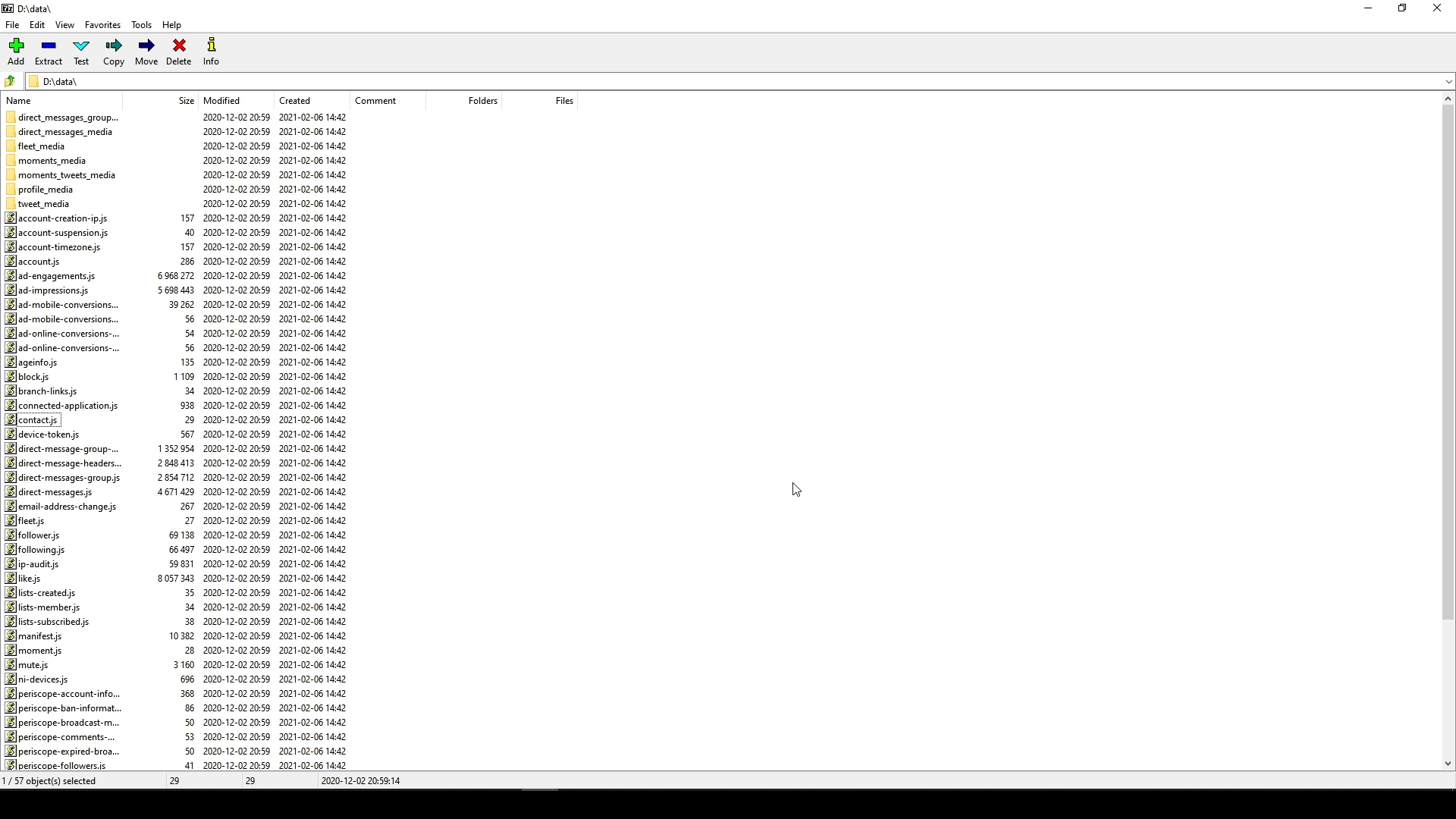 The height and width of the screenshot is (819, 1456). What do you see at coordinates (61, 406) in the screenshot?
I see `connected-application.js` at bounding box center [61, 406].